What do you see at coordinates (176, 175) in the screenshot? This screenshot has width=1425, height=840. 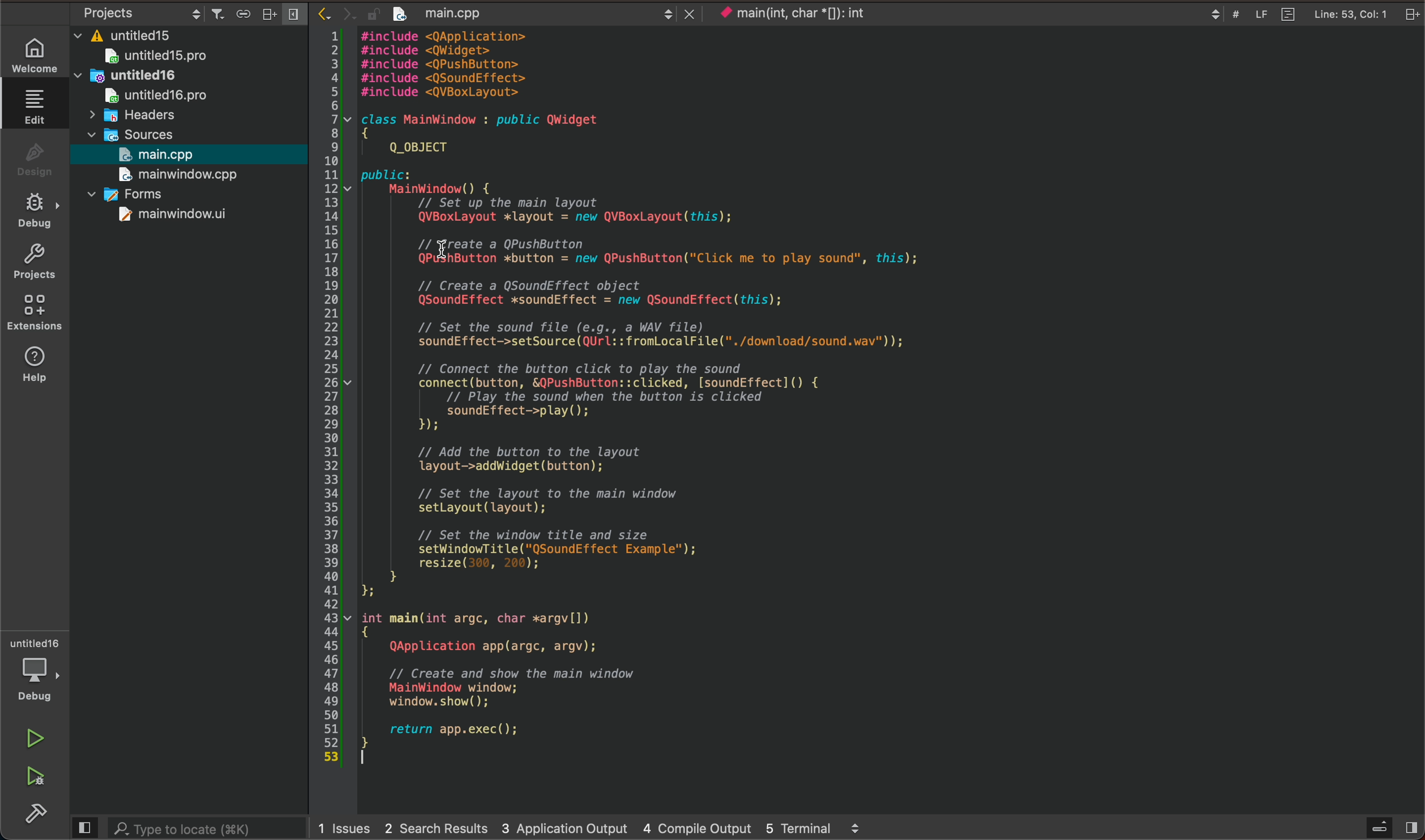 I see `mainwindow.cpp` at bounding box center [176, 175].